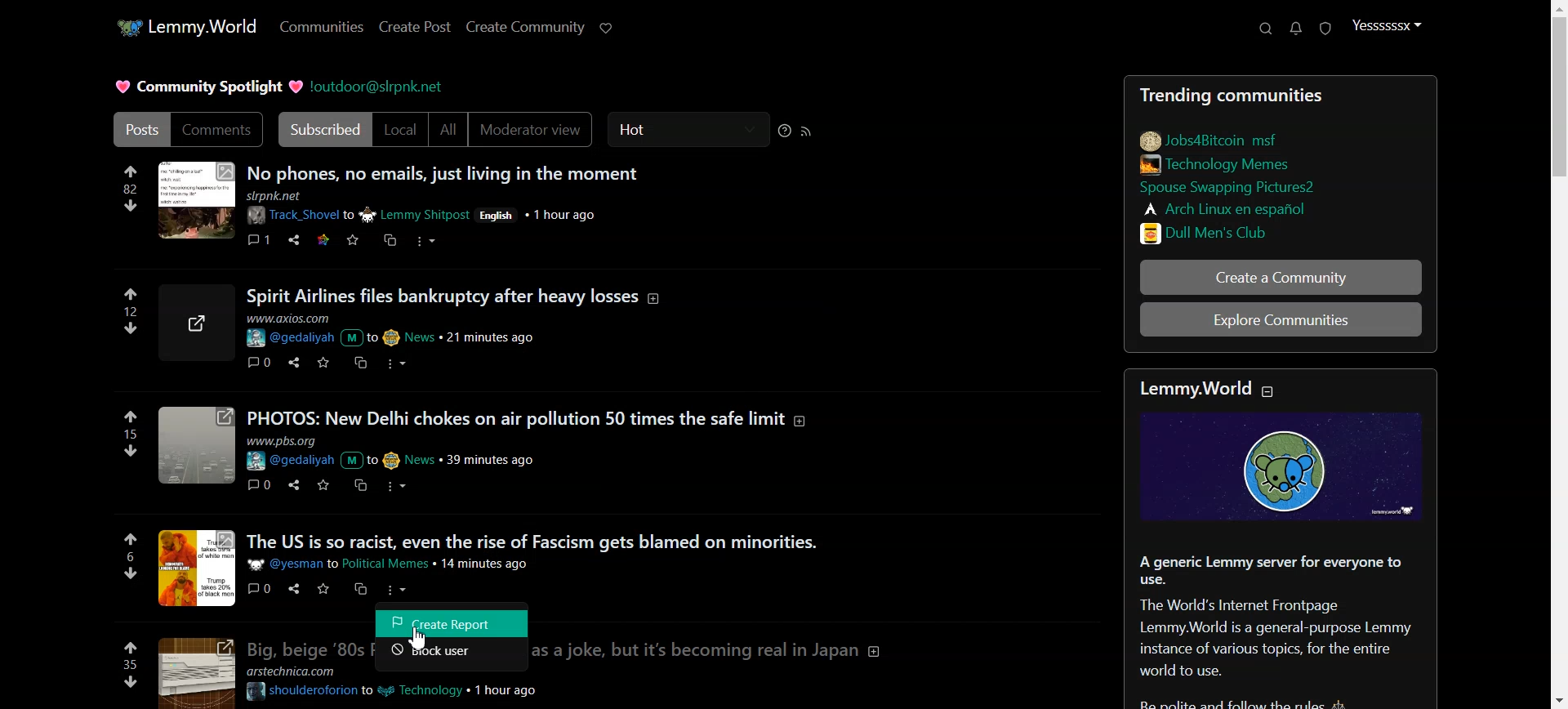  Describe the element at coordinates (291, 589) in the screenshot. I see `share` at that location.